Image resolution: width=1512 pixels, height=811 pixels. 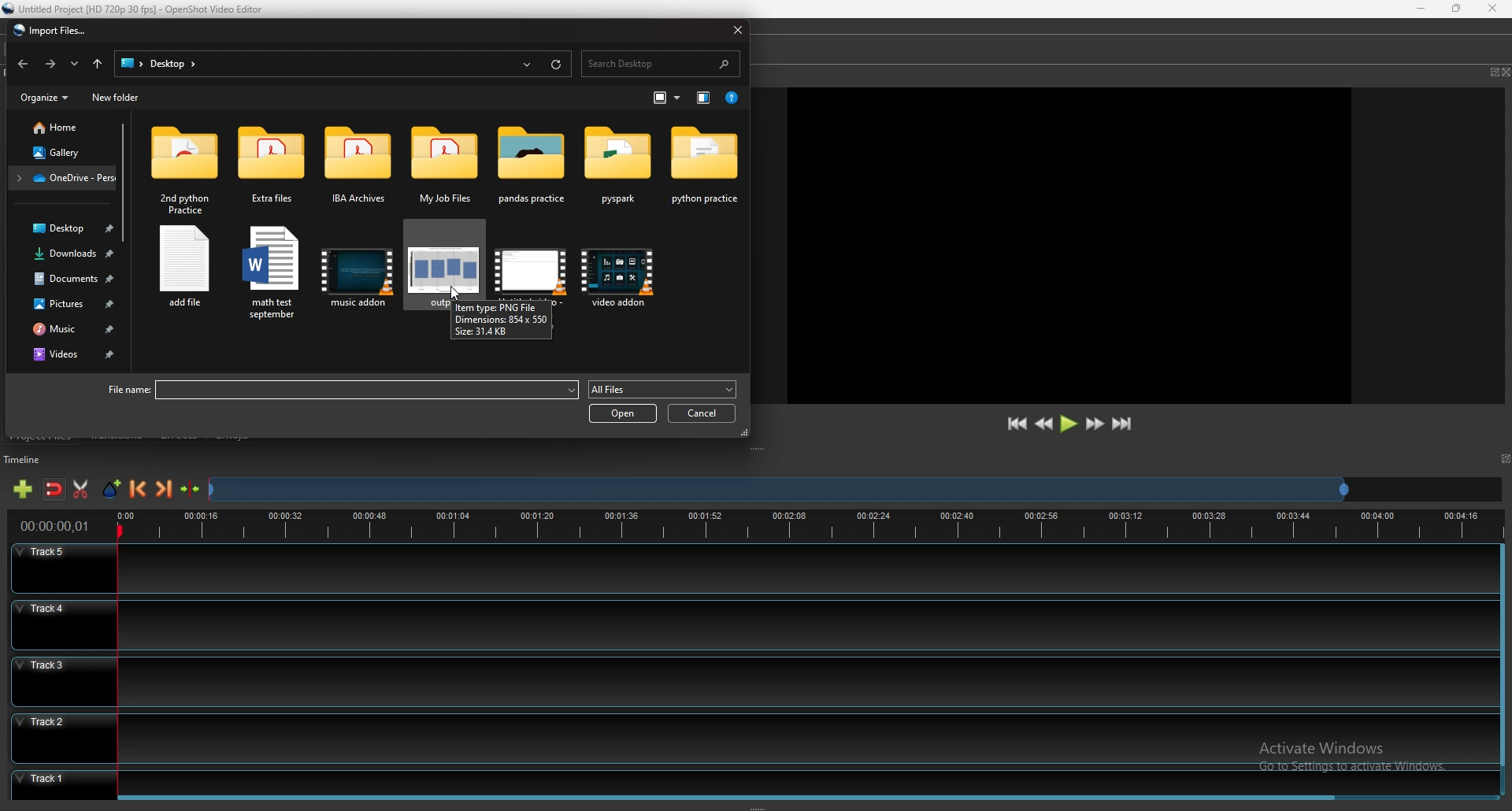 I want to click on all files, so click(x=663, y=390).